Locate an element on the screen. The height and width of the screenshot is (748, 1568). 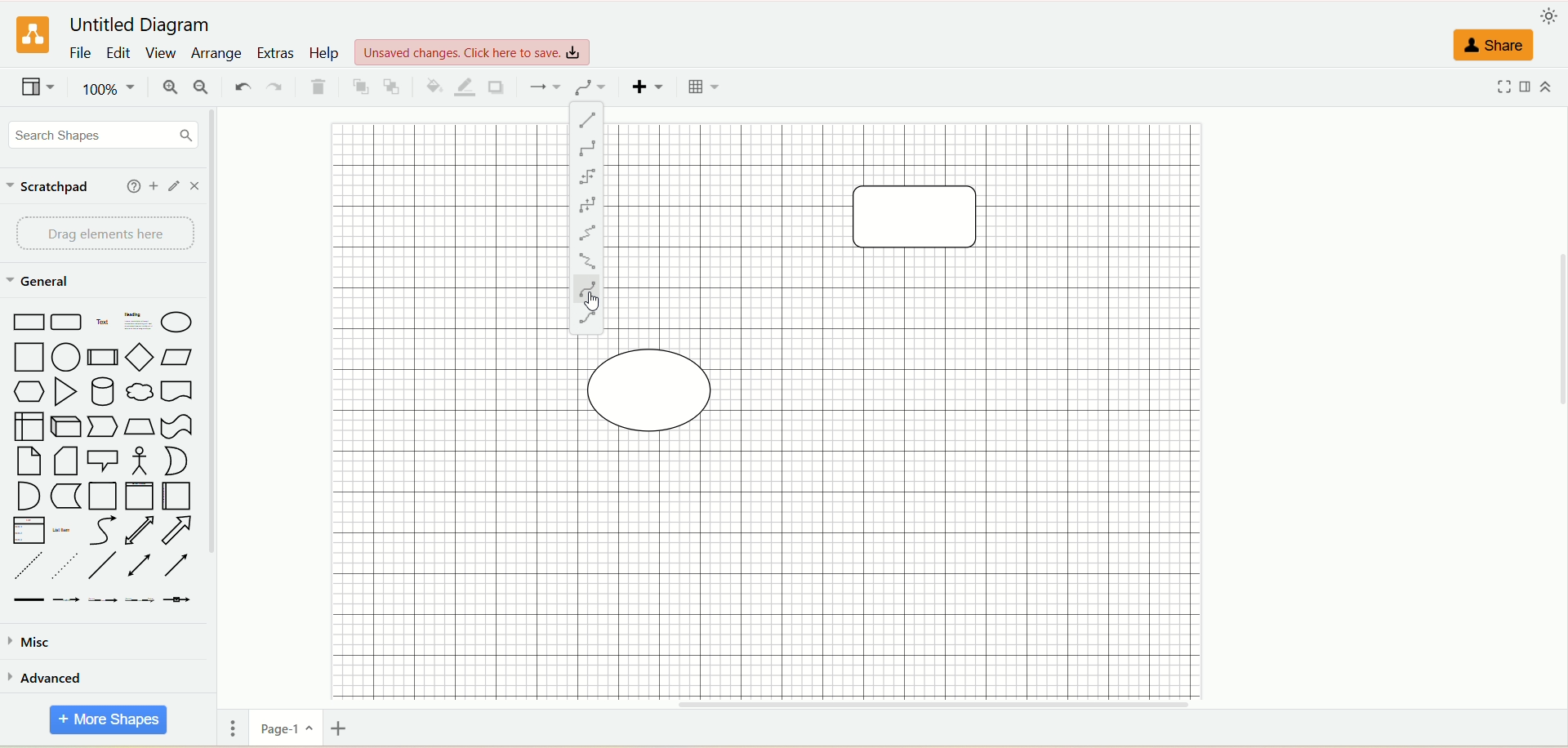
drag element here is located at coordinates (104, 232).